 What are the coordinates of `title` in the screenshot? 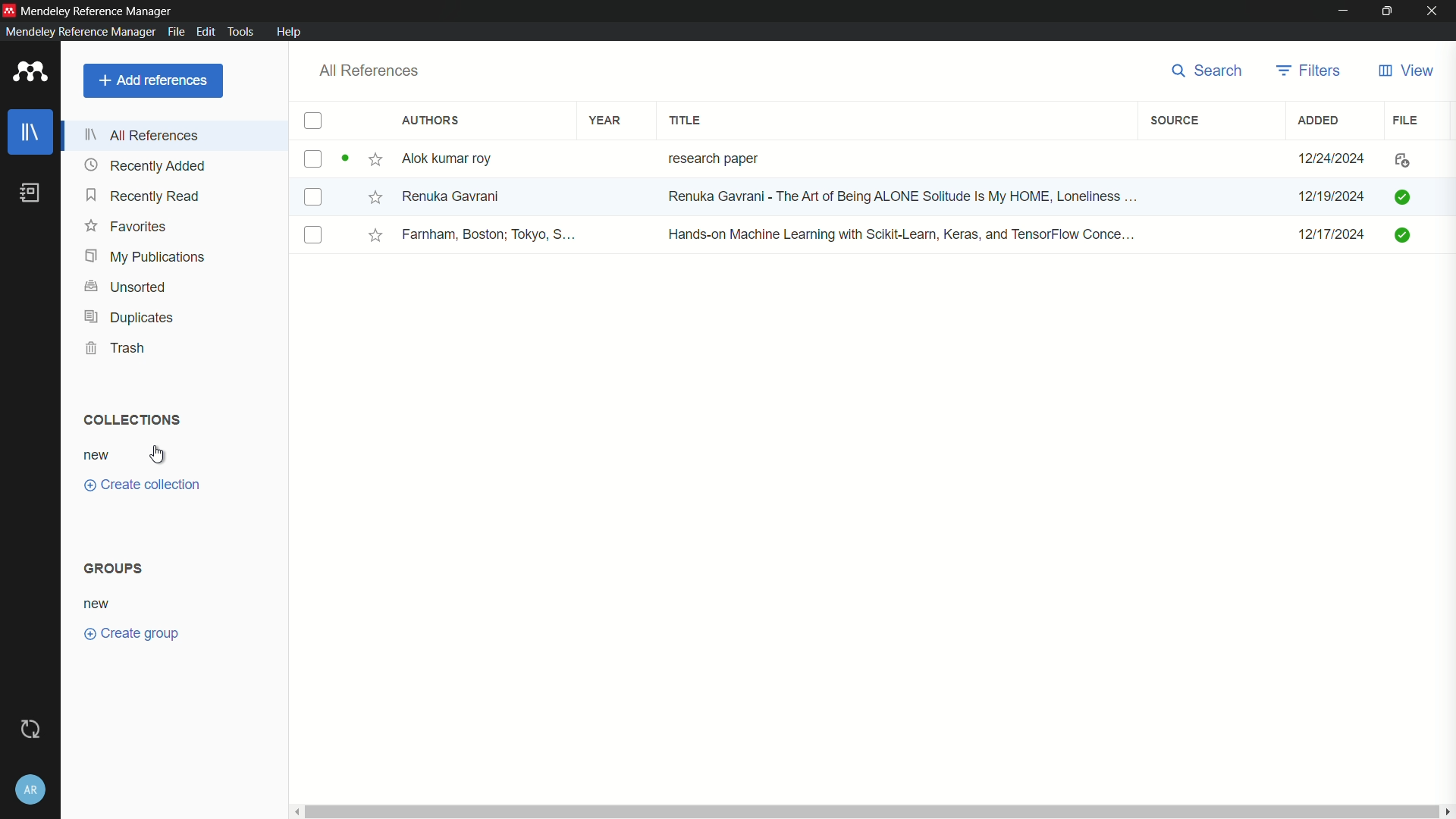 It's located at (687, 121).